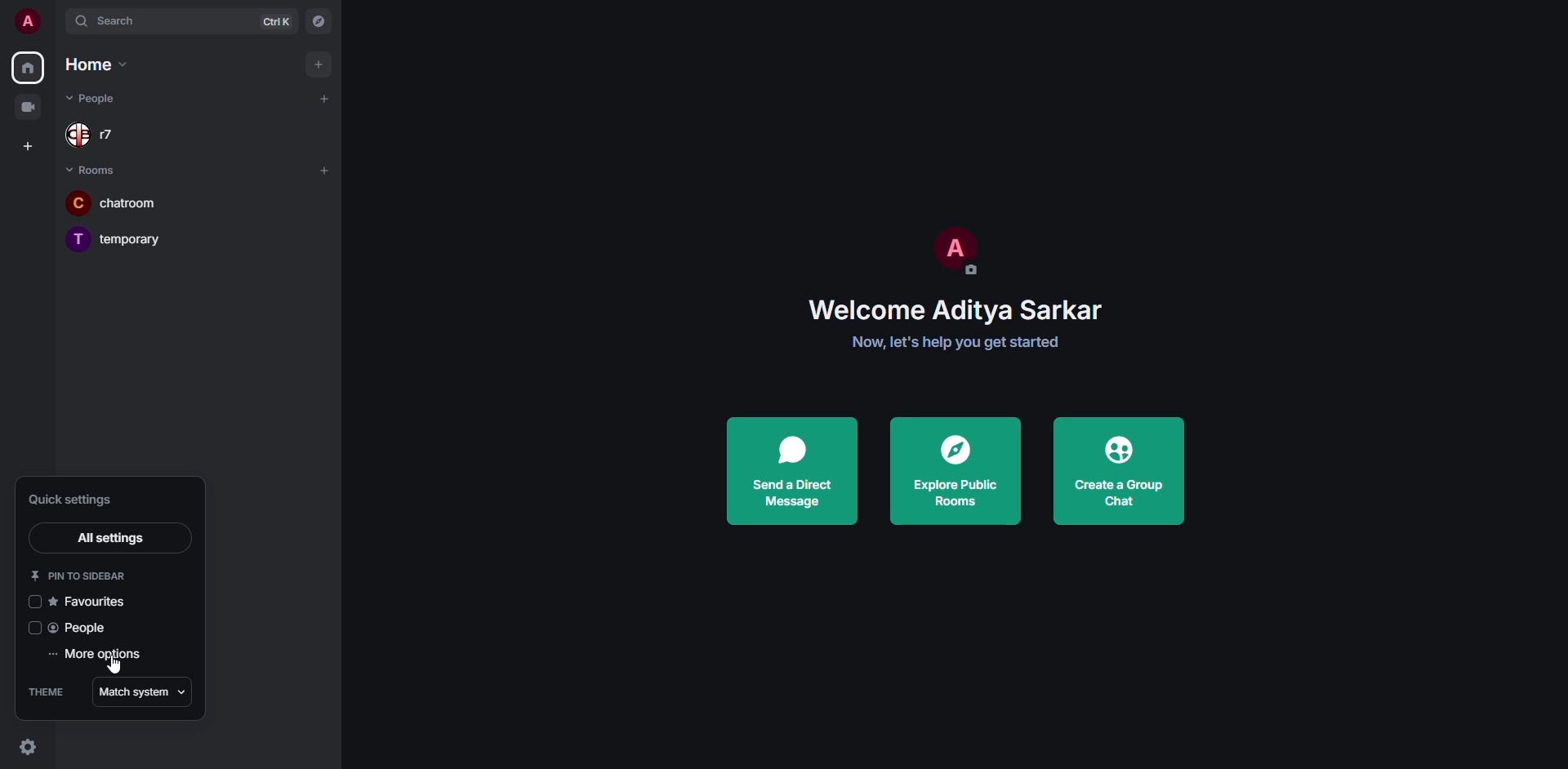 This screenshot has height=769, width=1568. I want to click on profile pic, so click(953, 246).